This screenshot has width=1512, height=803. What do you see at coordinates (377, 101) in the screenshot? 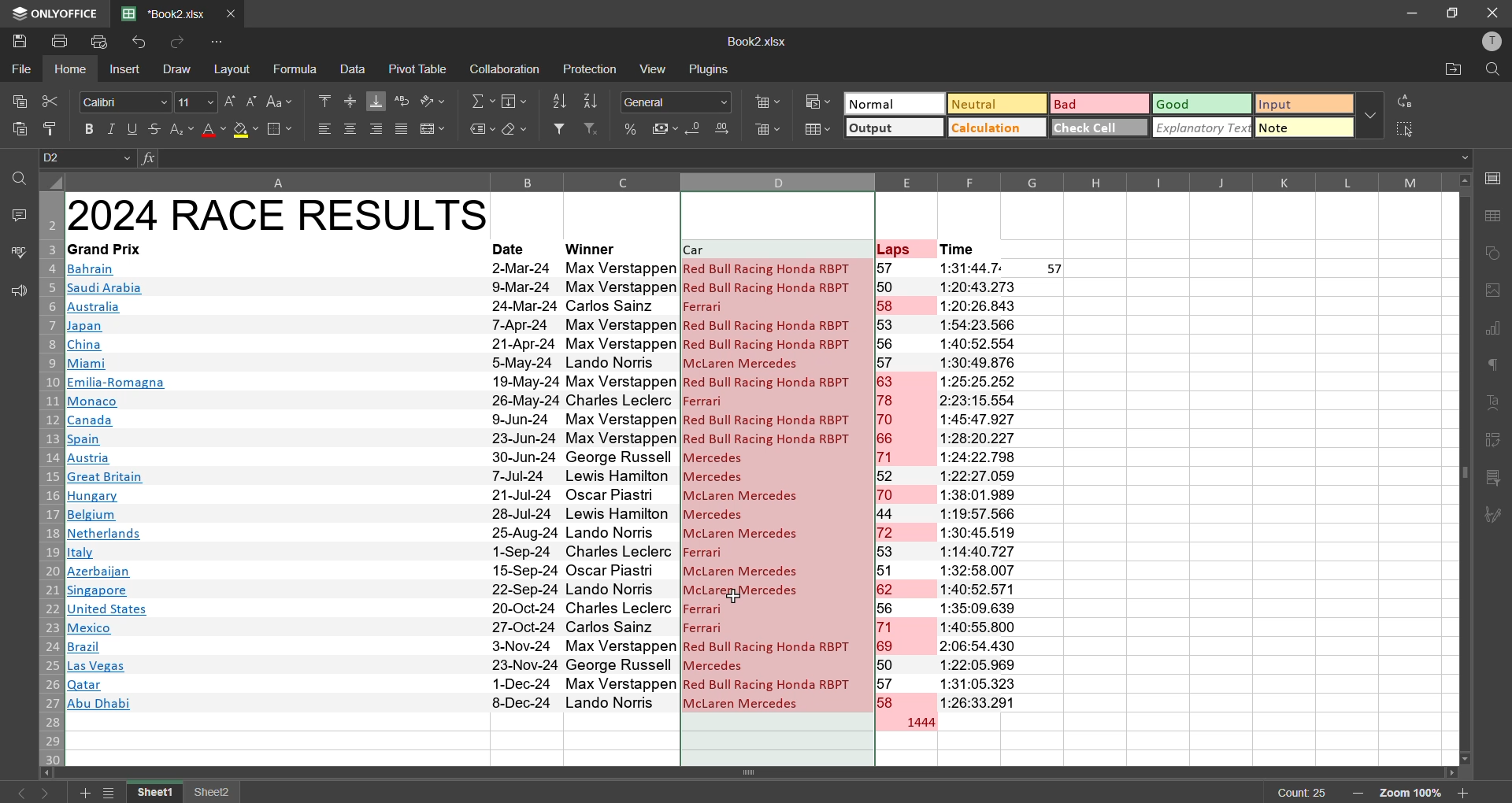
I see `align bottom` at bounding box center [377, 101].